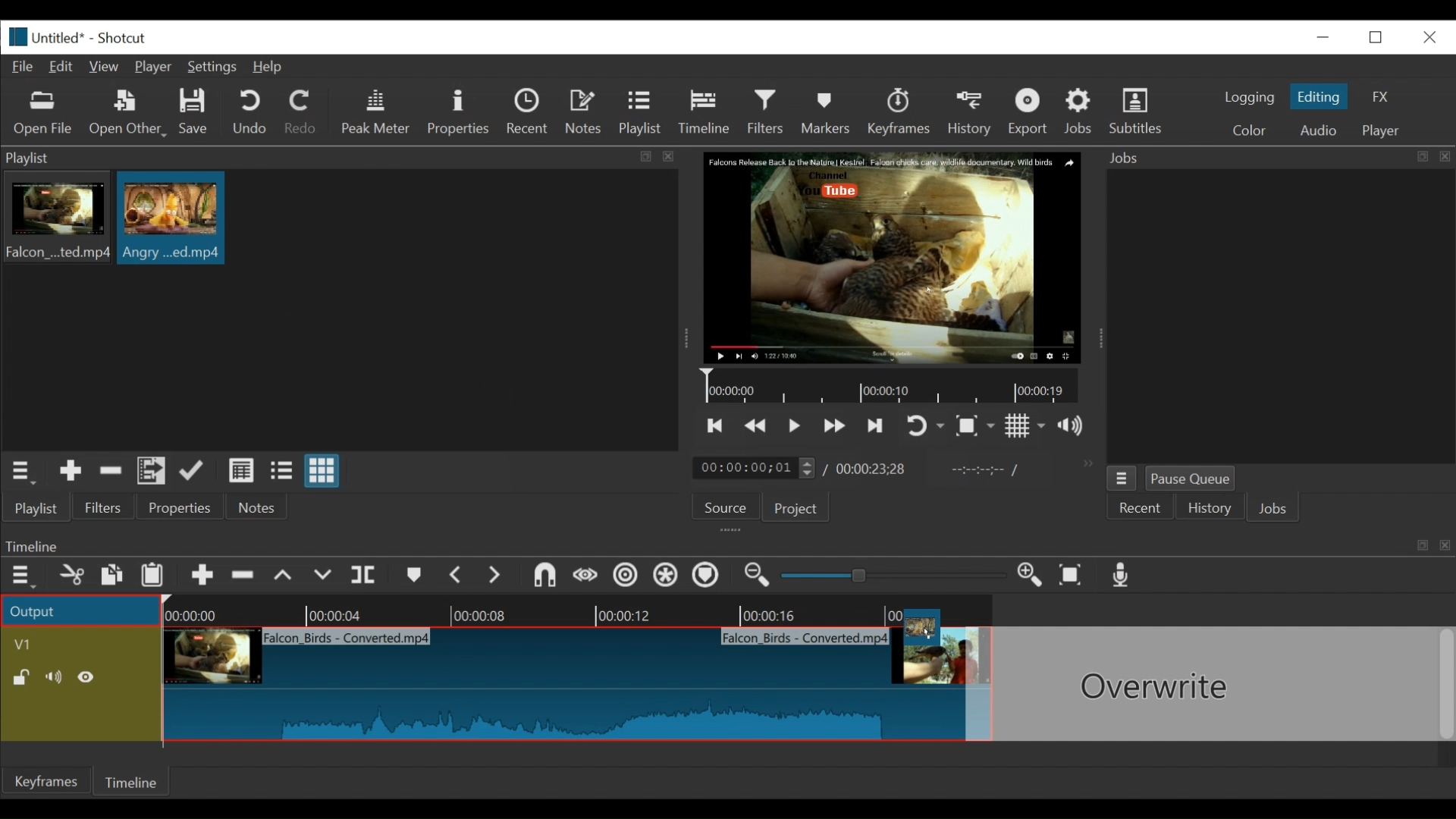 This screenshot has height=819, width=1456. I want to click on logging, so click(1248, 97).